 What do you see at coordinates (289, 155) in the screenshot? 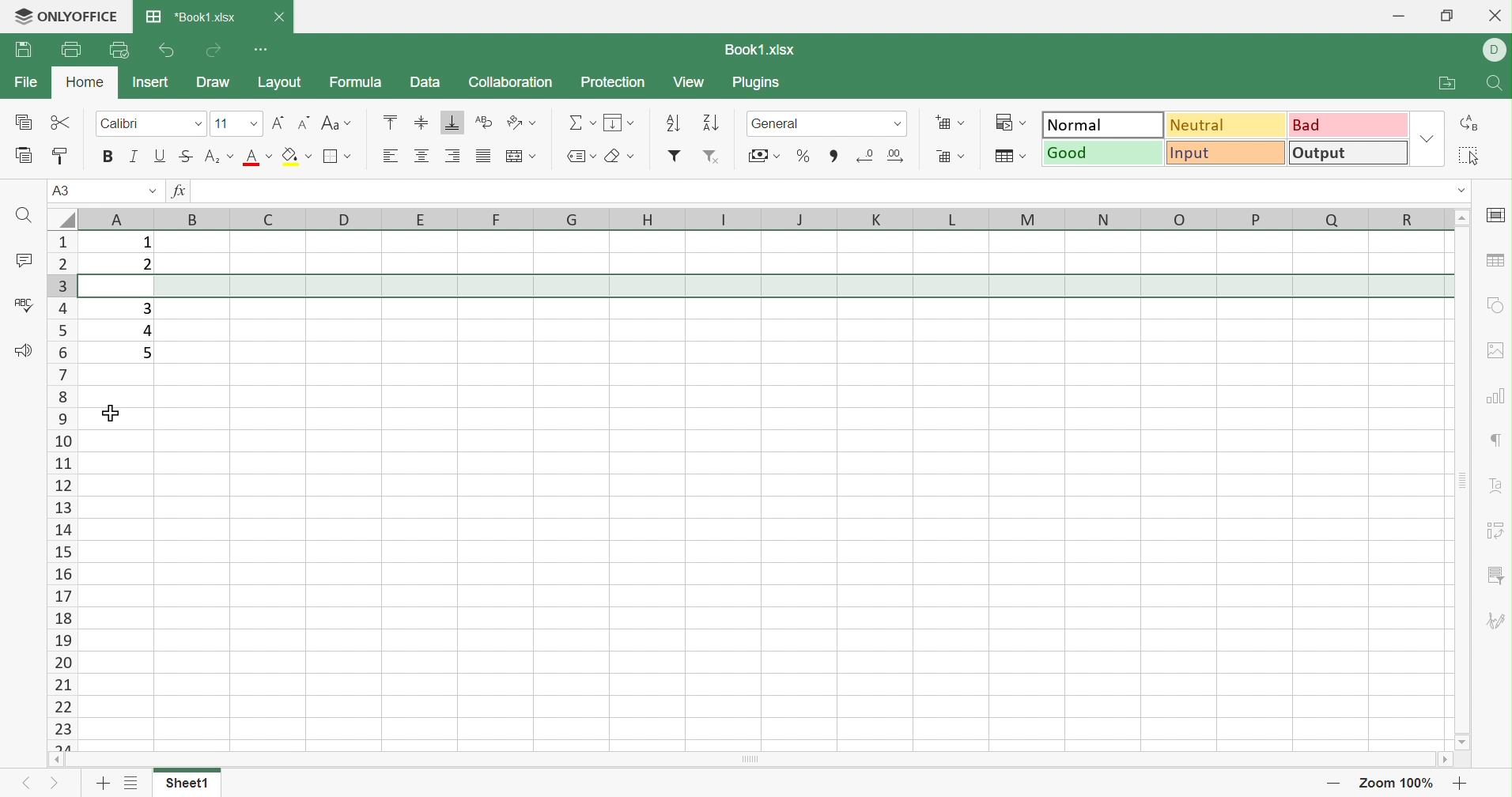
I see `Fill color` at bounding box center [289, 155].